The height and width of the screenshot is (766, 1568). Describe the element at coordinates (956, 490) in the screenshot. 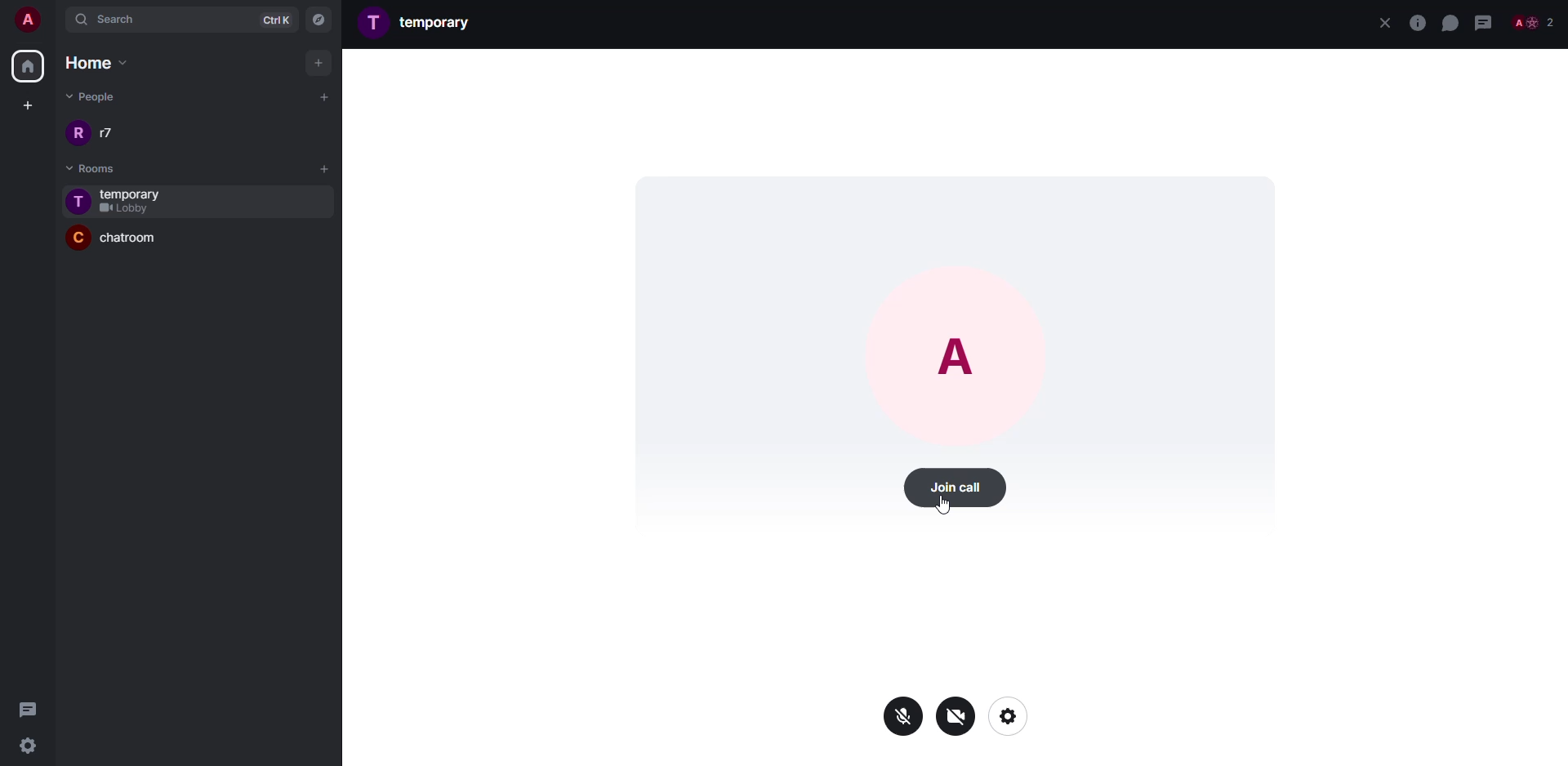

I see `join call` at that location.